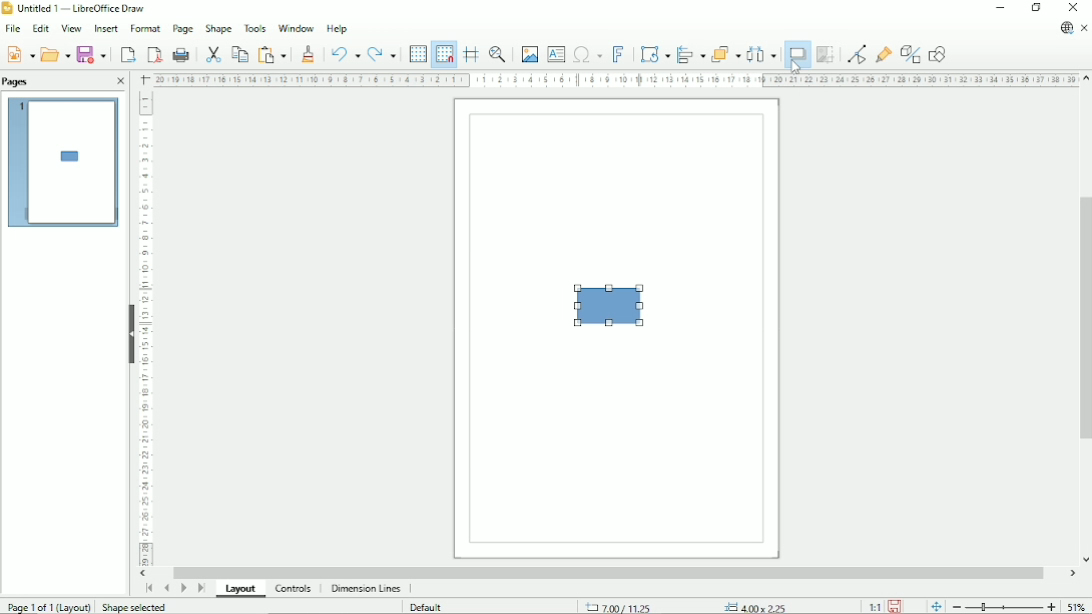 This screenshot has width=1092, height=614. I want to click on Vertical scale, so click(146, 327).